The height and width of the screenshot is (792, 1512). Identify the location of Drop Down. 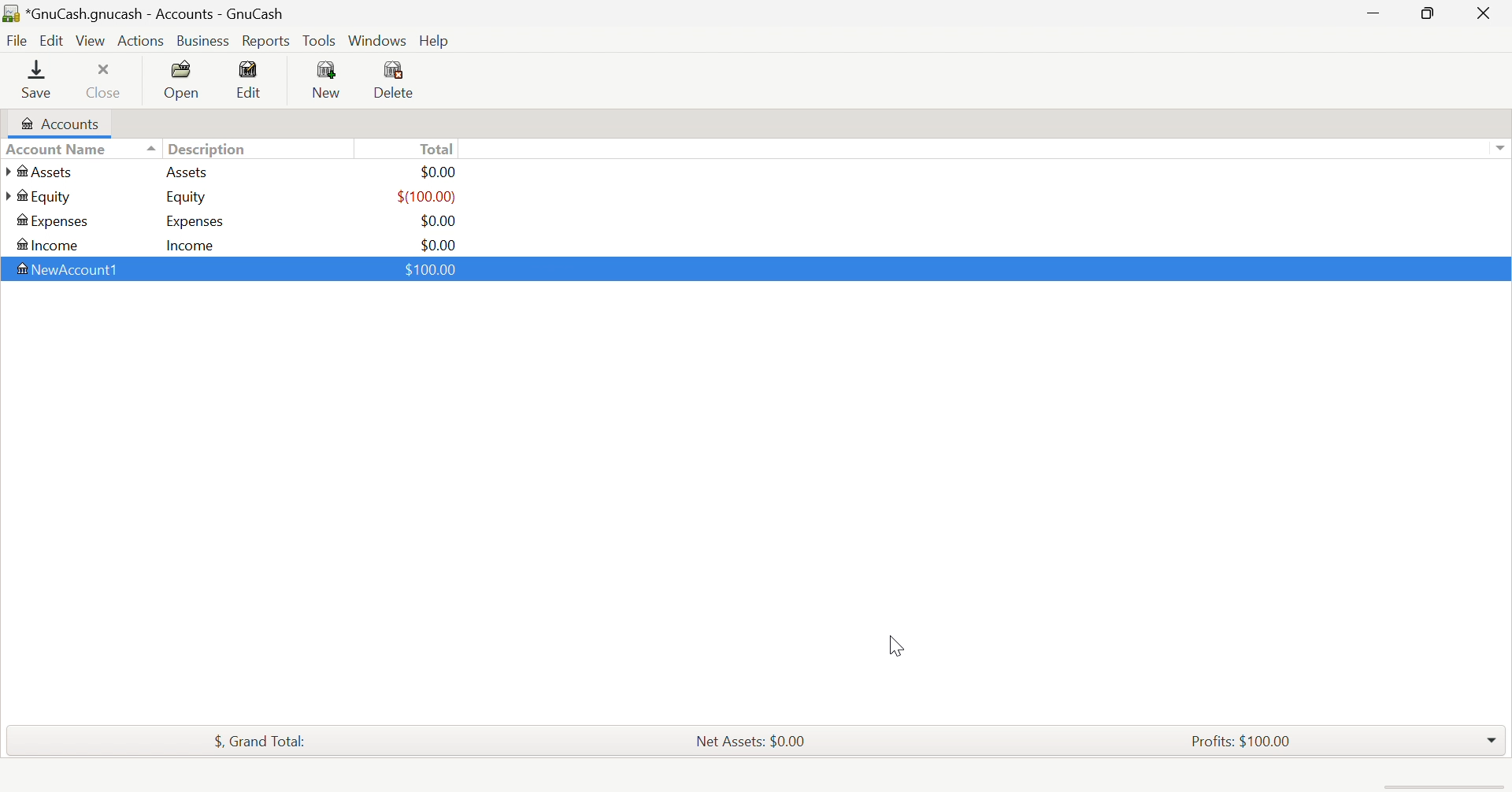
(1492, 740).